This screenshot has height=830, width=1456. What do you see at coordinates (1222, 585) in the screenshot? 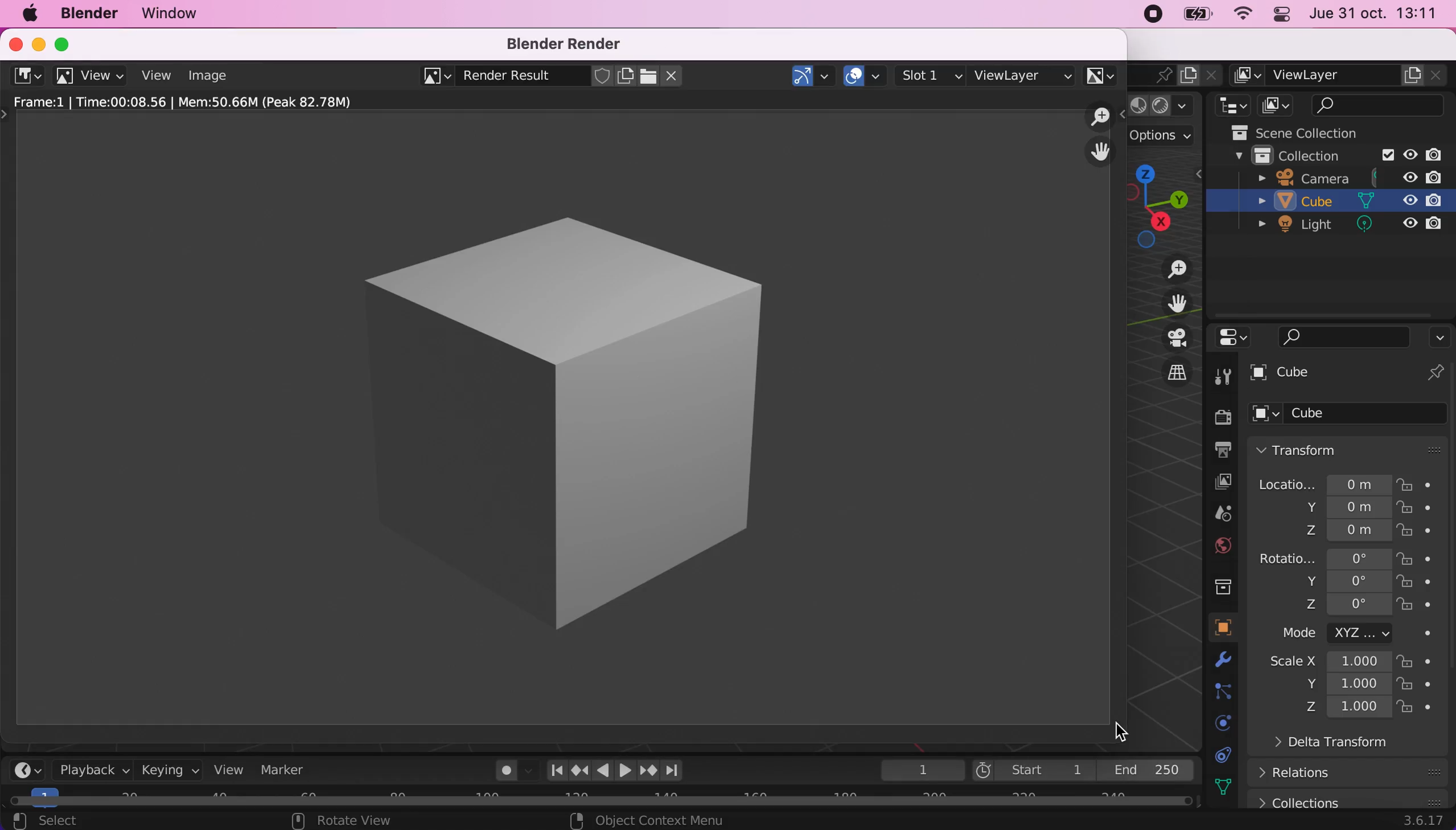
I see `collection` at bounding box center [1222, 585].